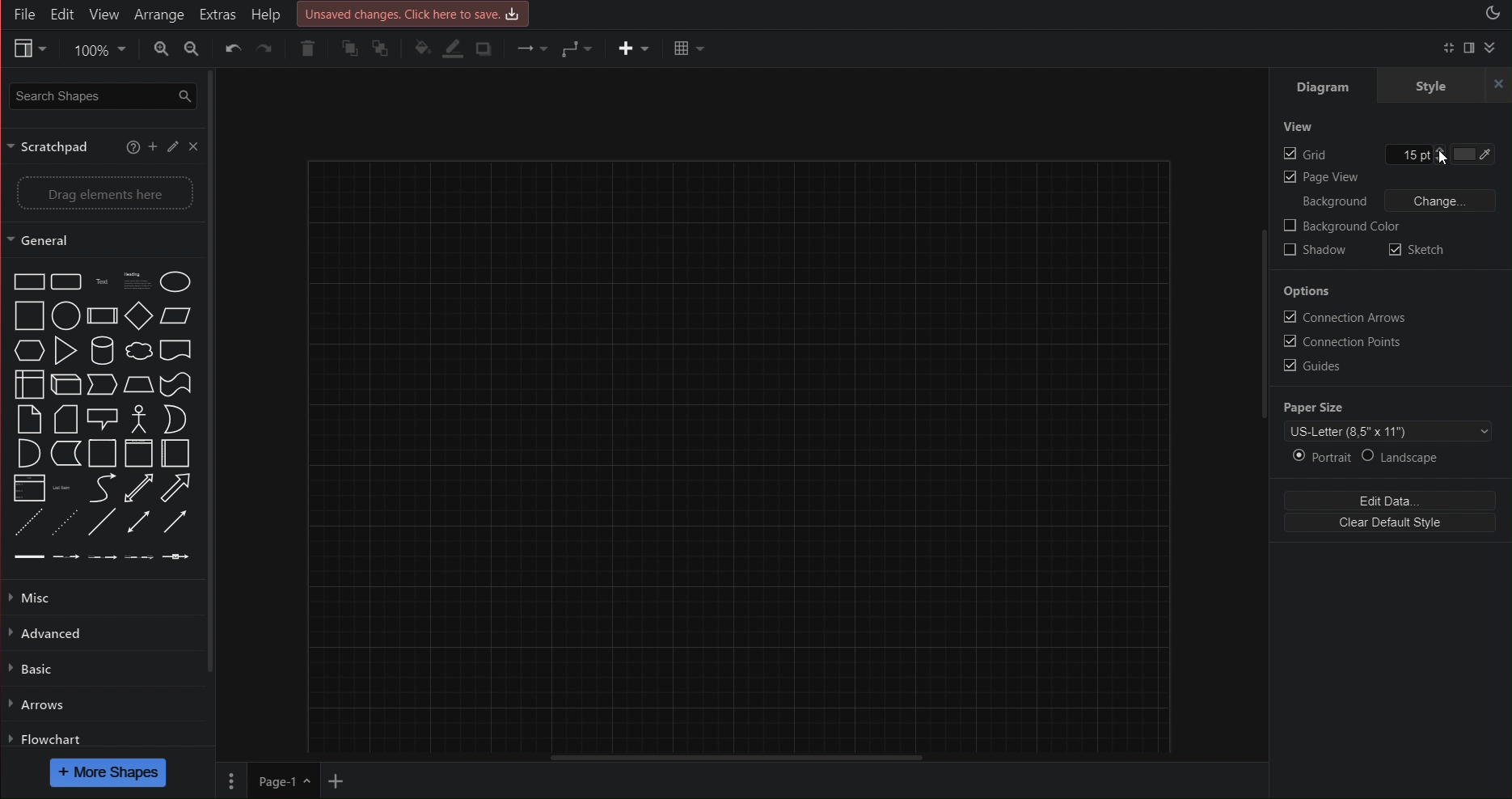 The height and width of the screenshot is (799, 1512). I want to click on Waypoints, so click(573, 50).